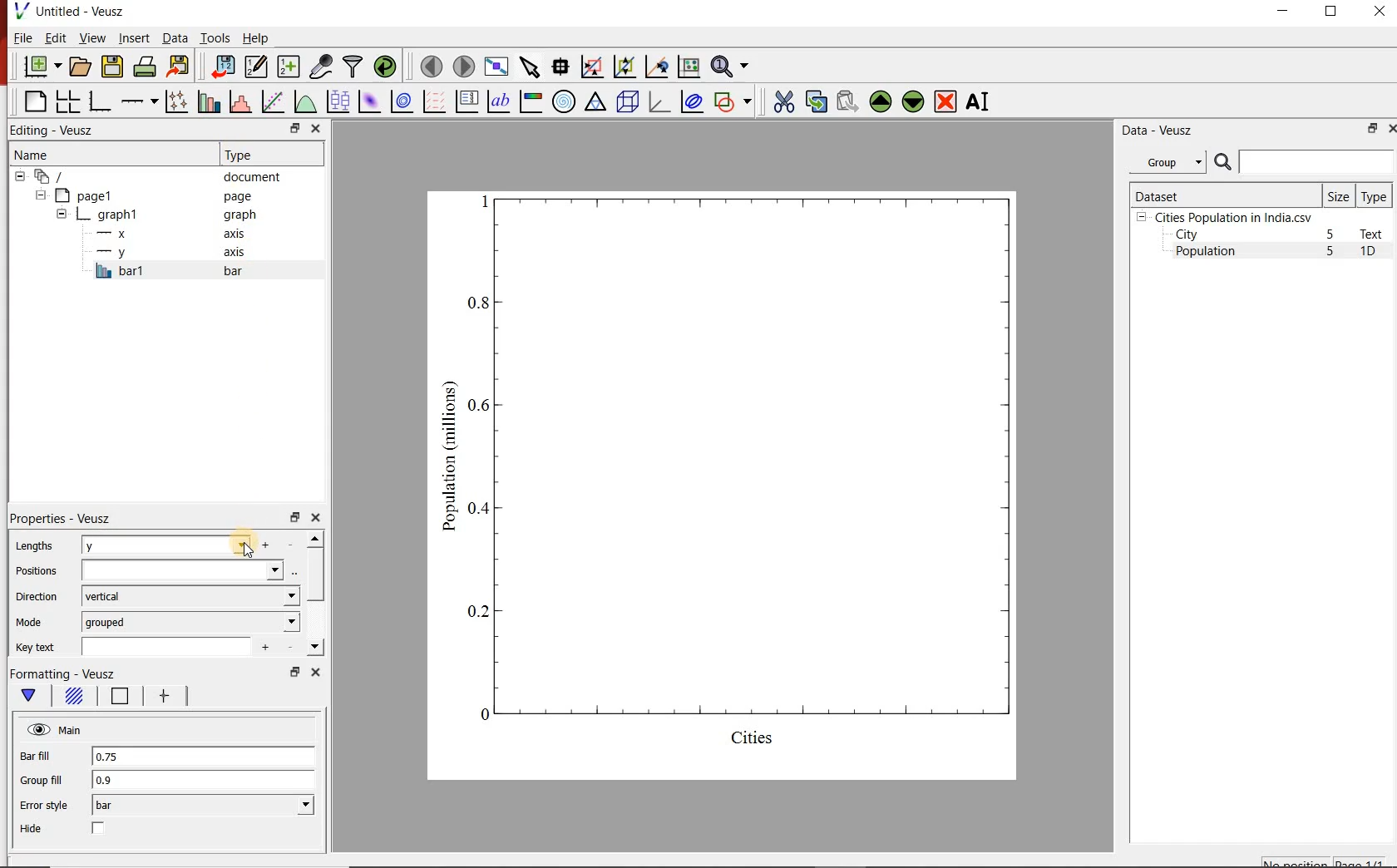  Describe the element at coordinates (595, 102) in the screenshot. I see `Ternary graph` at that location.